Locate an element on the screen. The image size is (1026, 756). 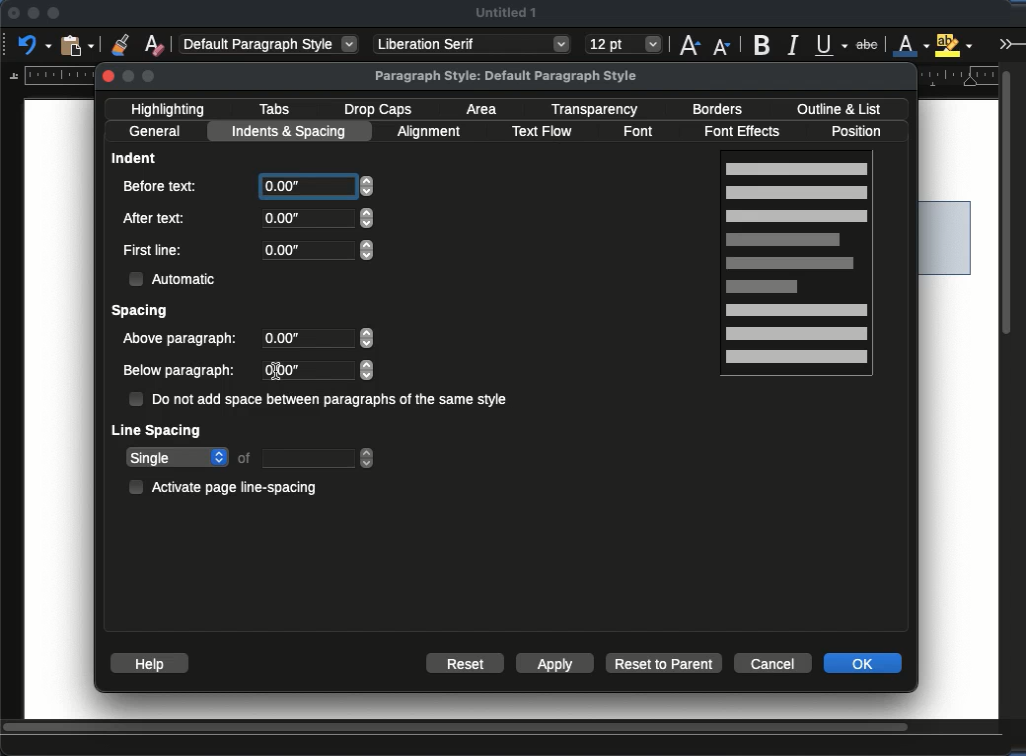
underline  is located at coordinates (832, 45).